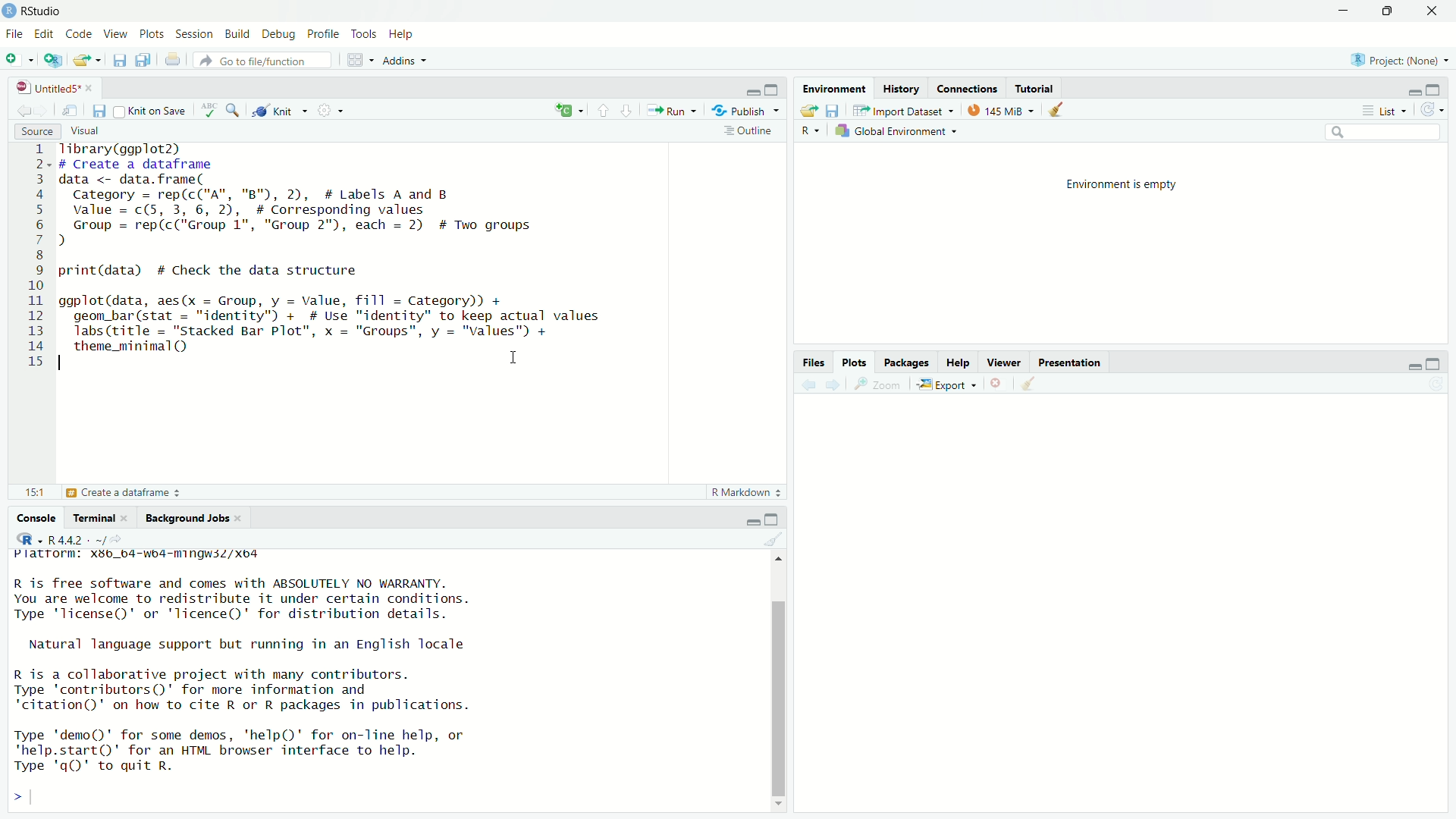  I want to click on Plots, so click(152, 33).